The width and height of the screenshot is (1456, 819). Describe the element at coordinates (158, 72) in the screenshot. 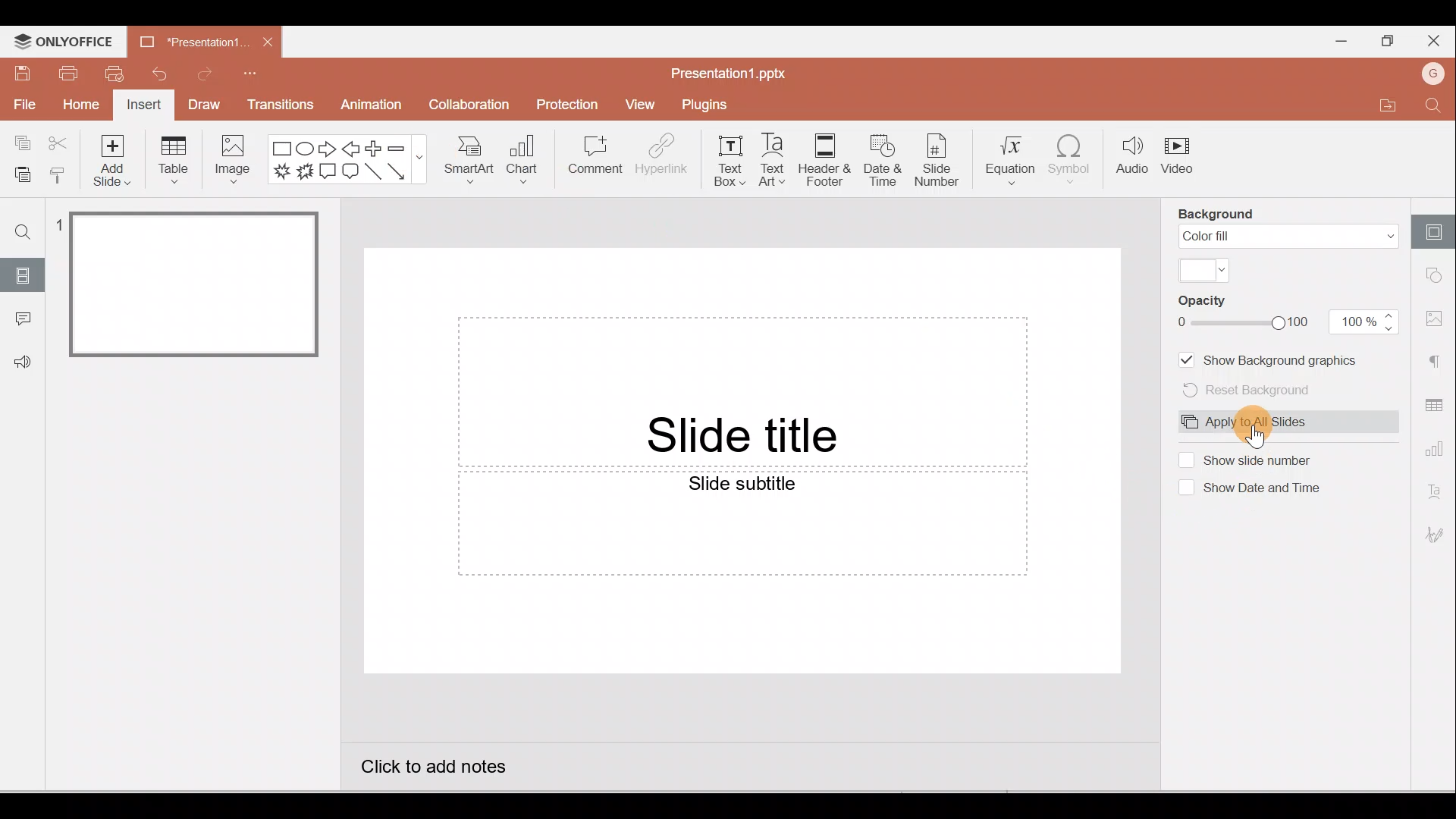

I see `Undo` at that location.